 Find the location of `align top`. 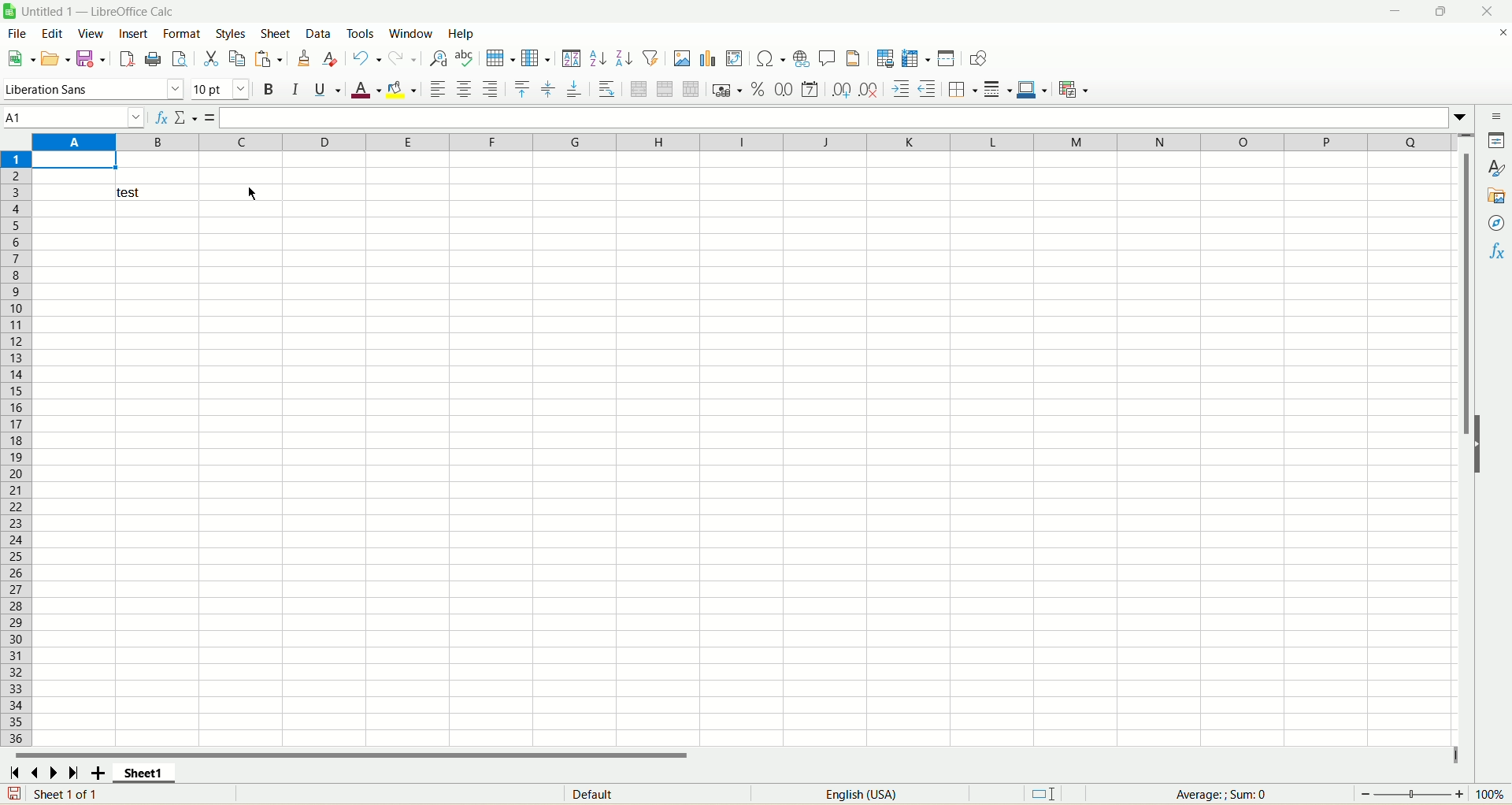

align top is located at coordinates (522, 89).